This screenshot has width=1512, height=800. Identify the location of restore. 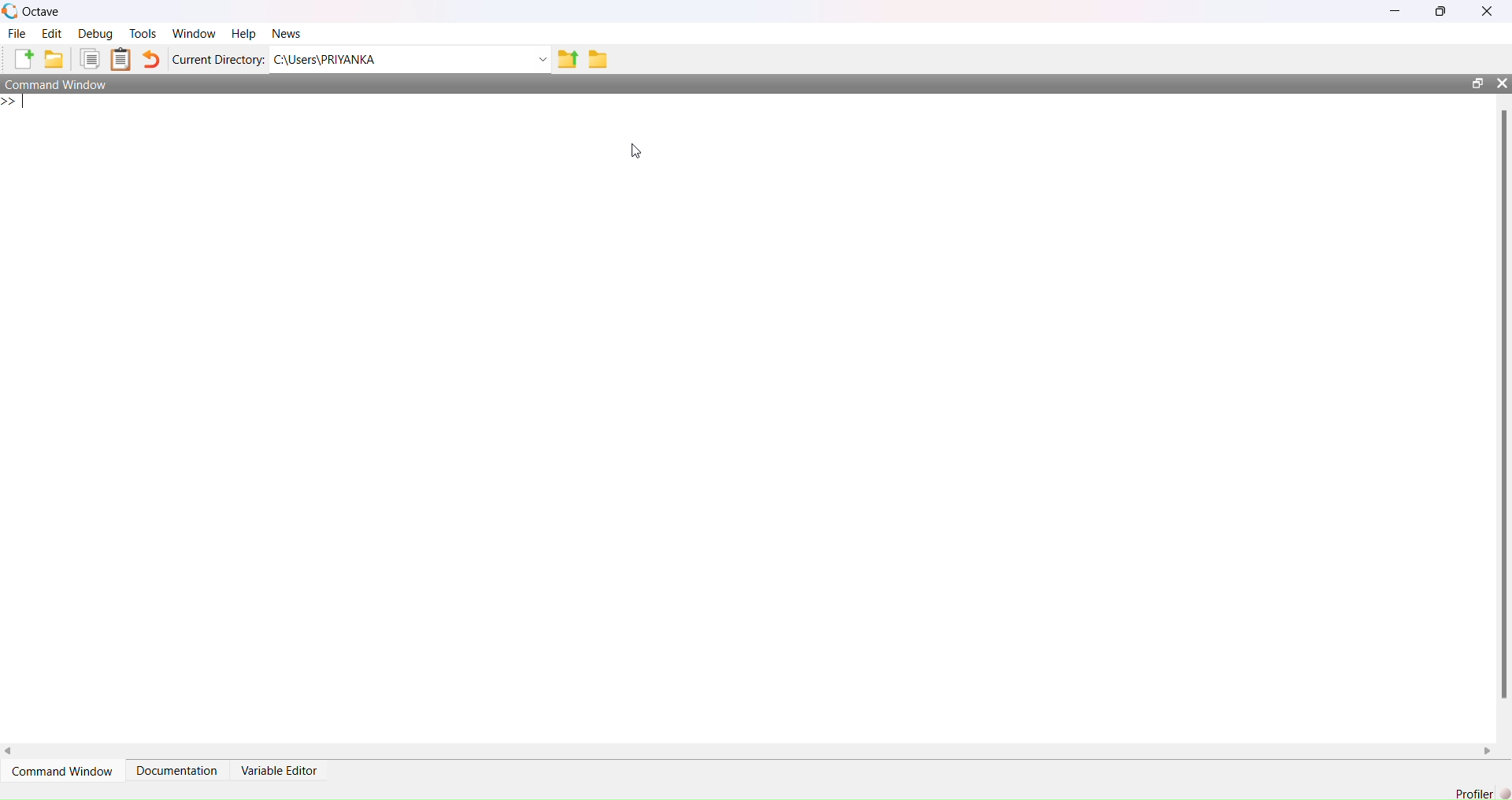
(1477, 83).